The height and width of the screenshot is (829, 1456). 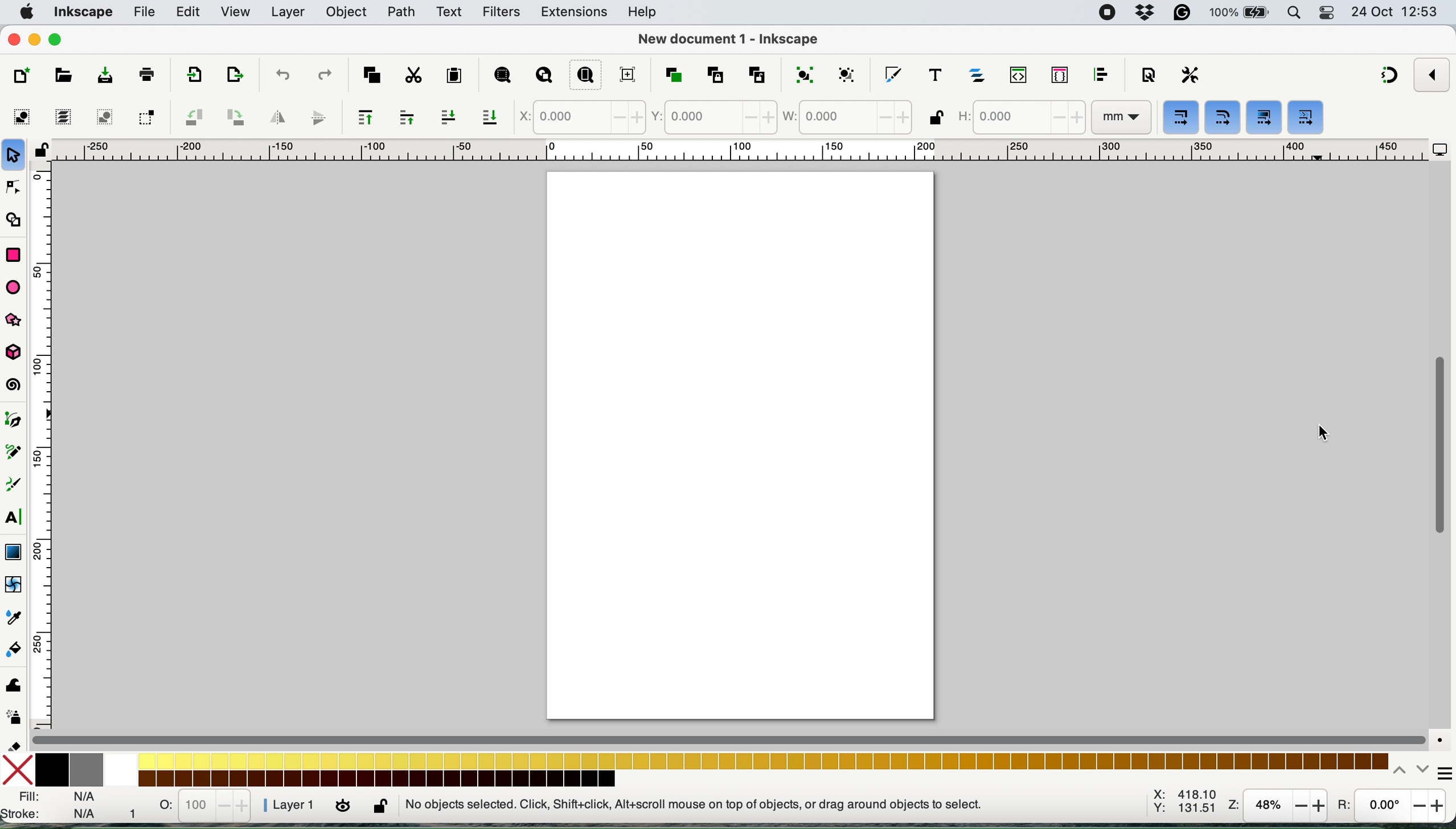 What do you see at coordinates (490, 117) in the screenshot?
I see `lower selection to bottom` at bounding box center [490, 117].